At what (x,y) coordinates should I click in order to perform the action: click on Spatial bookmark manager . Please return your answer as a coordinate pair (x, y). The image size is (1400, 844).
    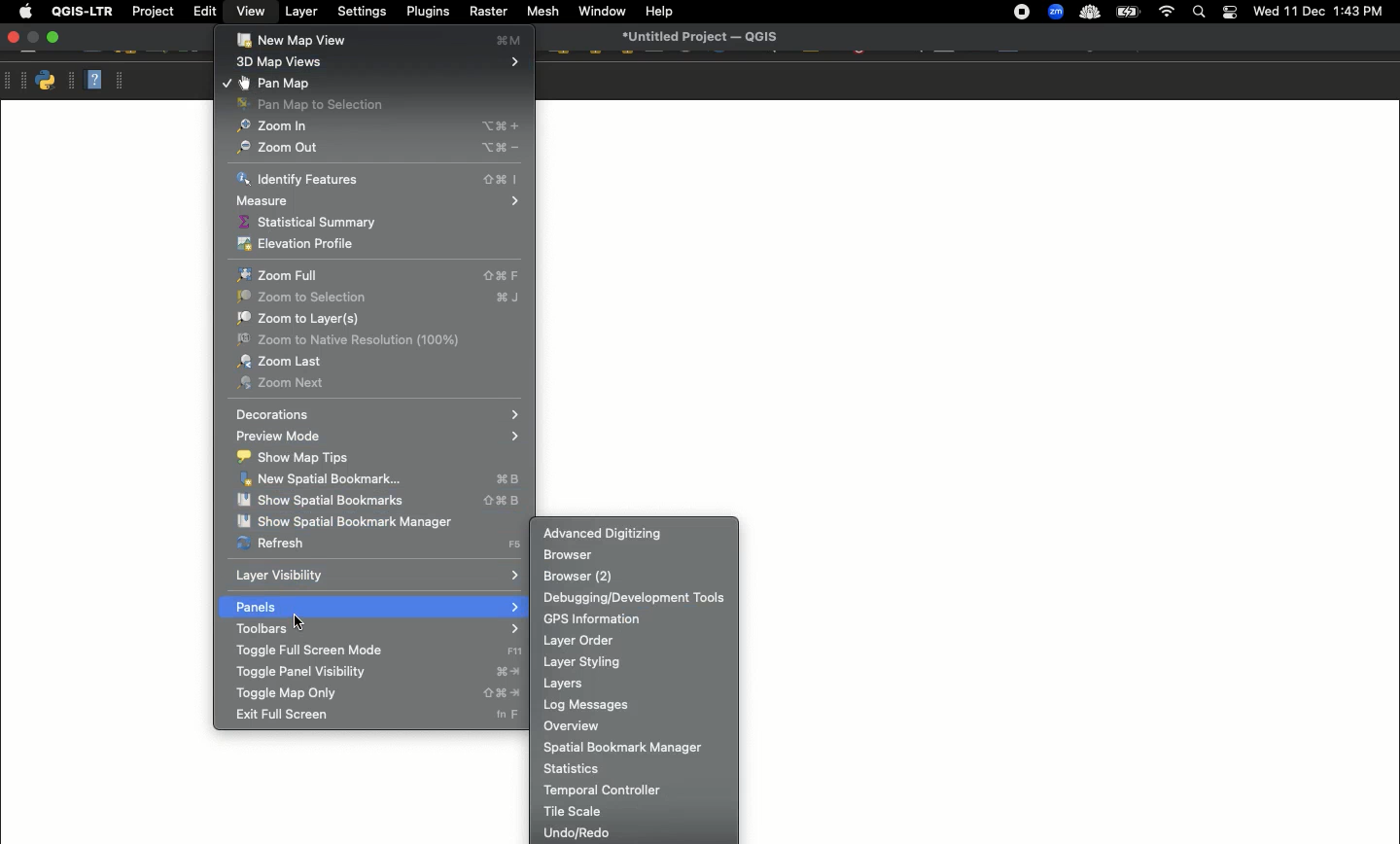
    Looking at the image, I should click on (632, 747).